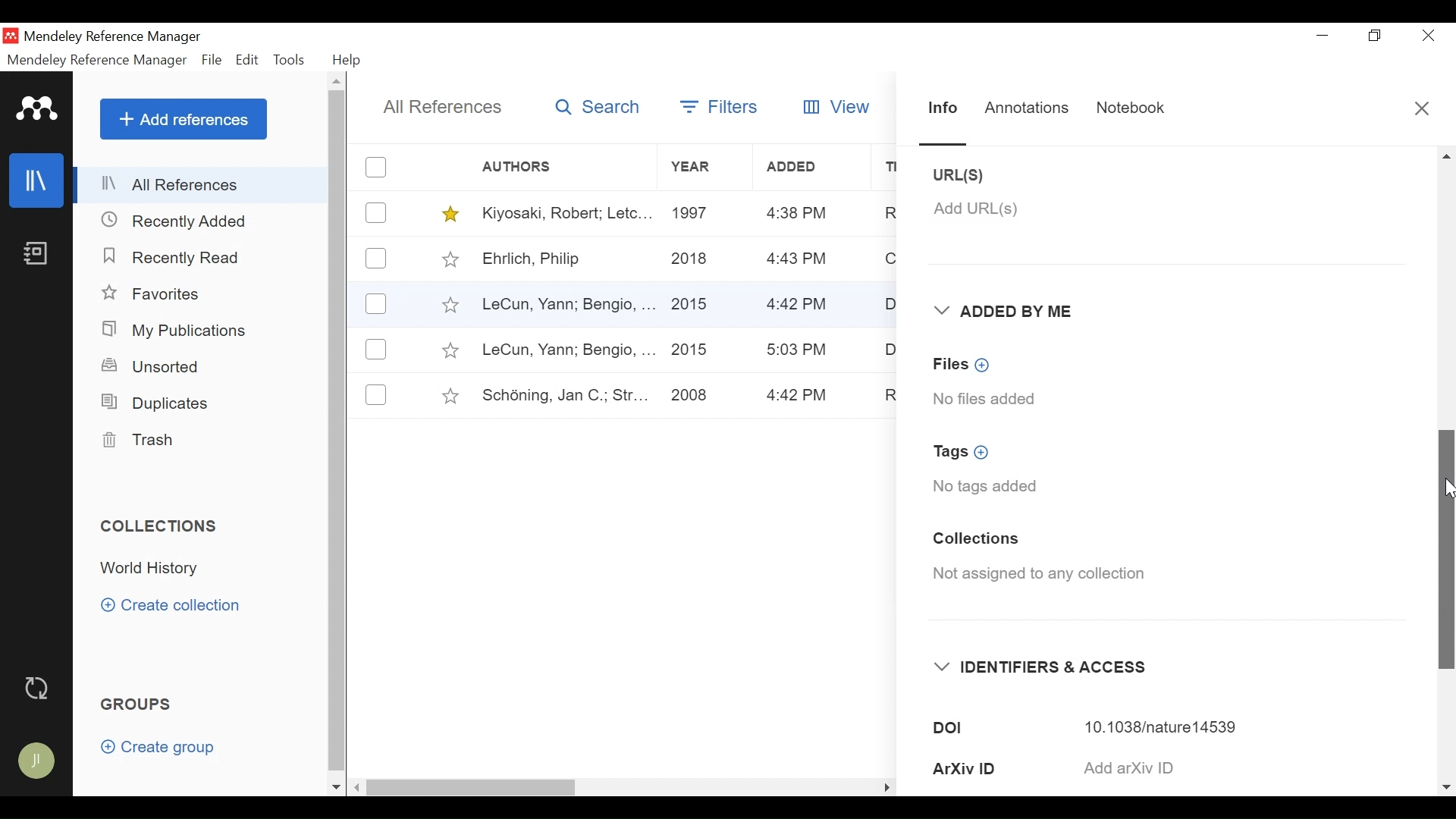  I want to click on All References, so click(444, 107).